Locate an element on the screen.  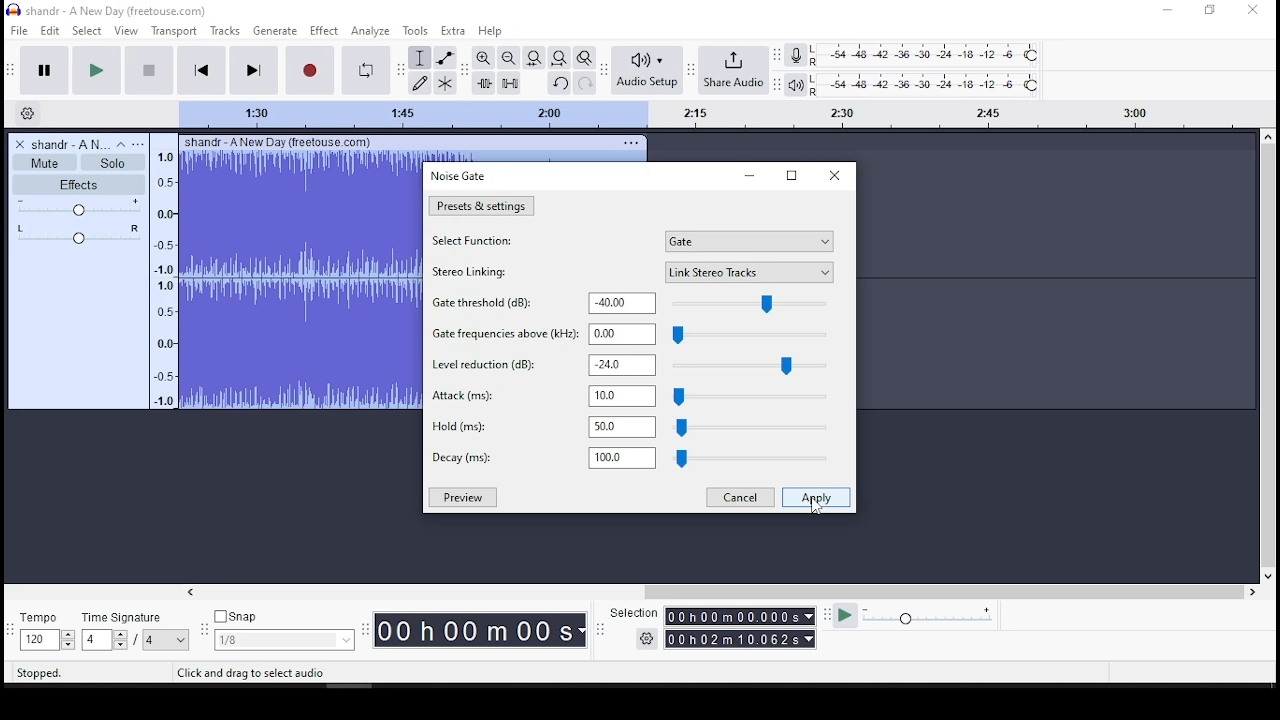
Click and drag to select audio is located at coordinates (254, 672).